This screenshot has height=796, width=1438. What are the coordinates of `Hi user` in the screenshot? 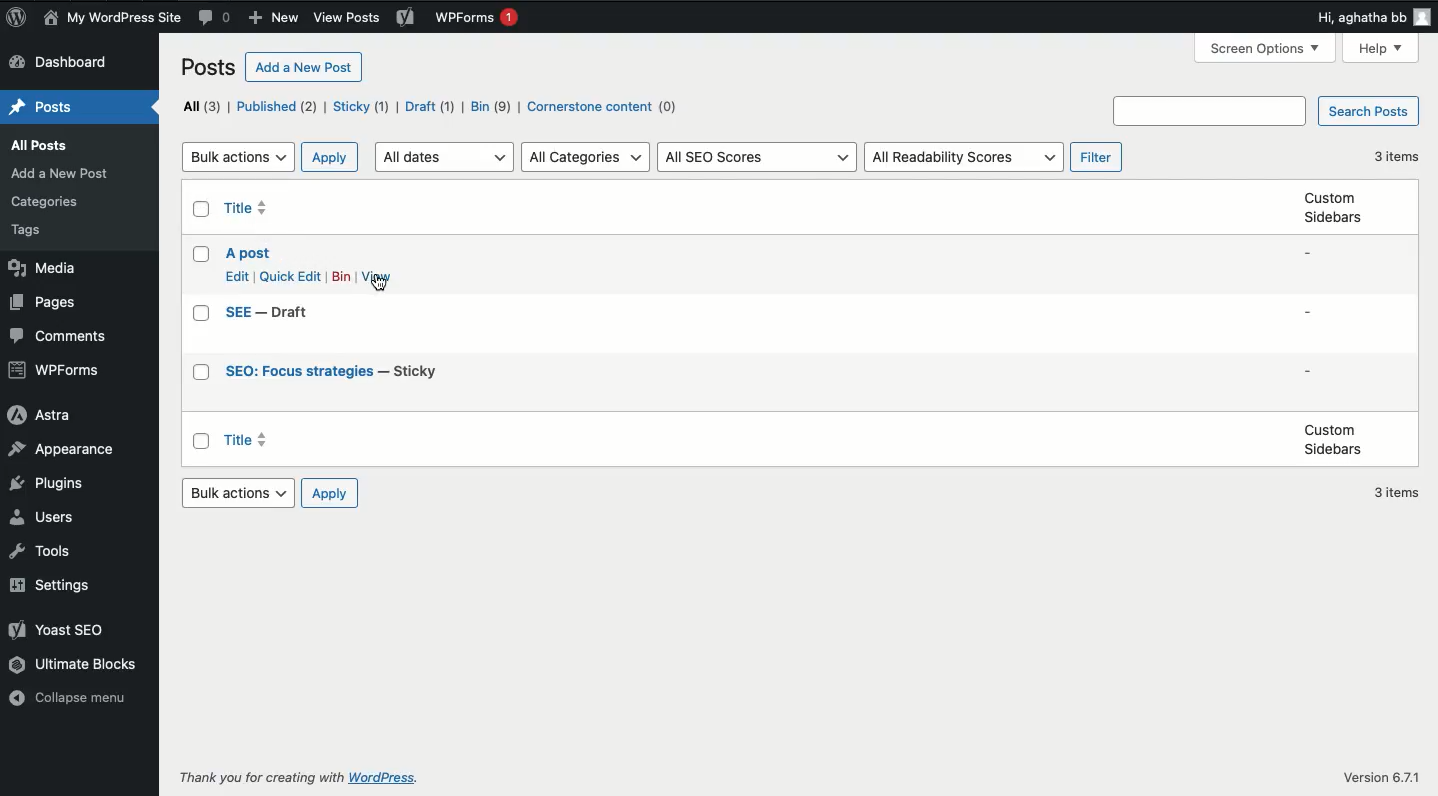 It's located at (1374, 17).